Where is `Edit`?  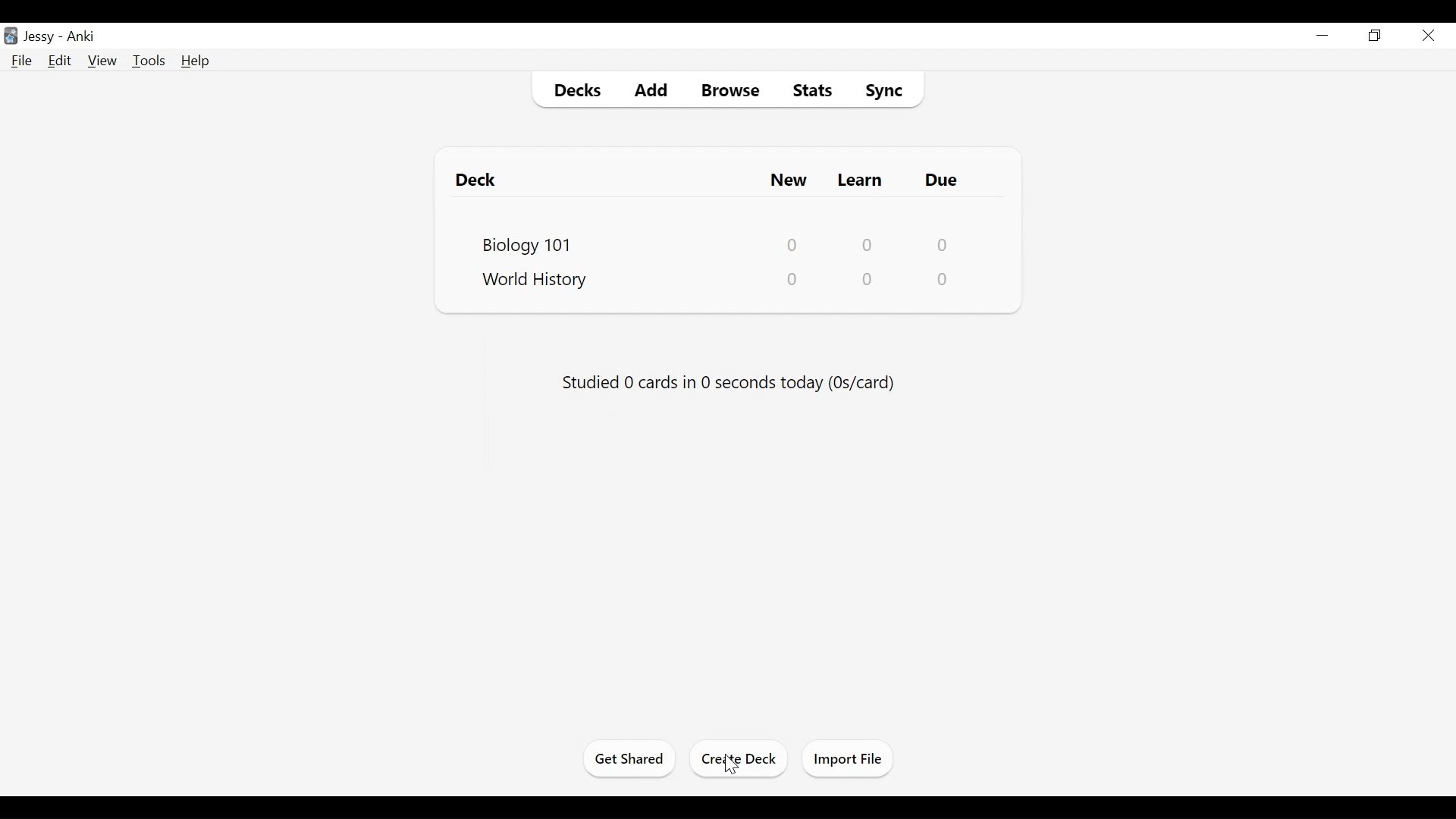
Edit is located at coordinates (61, 61).